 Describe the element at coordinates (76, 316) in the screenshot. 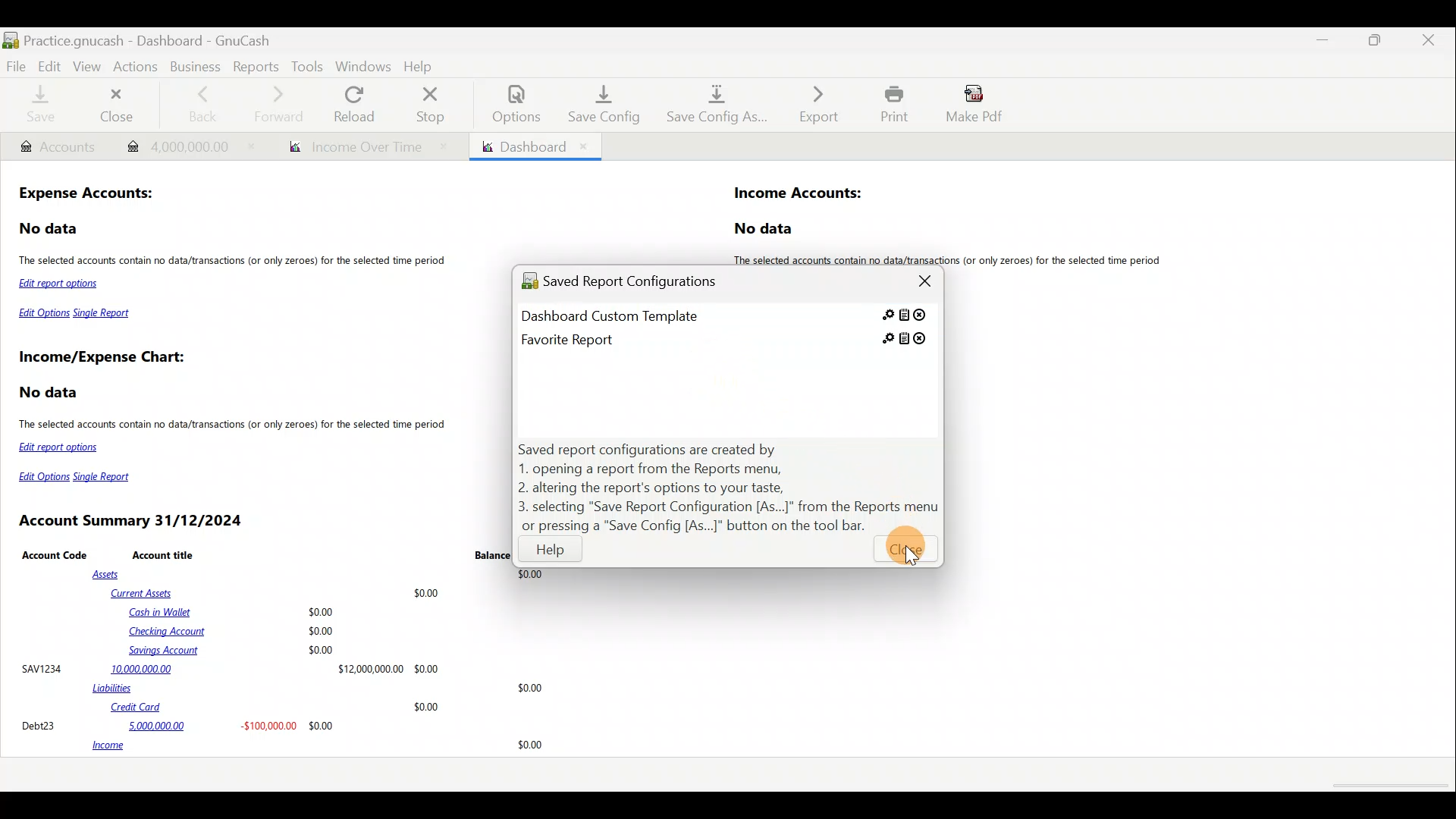

I see `Edit Options Single Report` at that location.